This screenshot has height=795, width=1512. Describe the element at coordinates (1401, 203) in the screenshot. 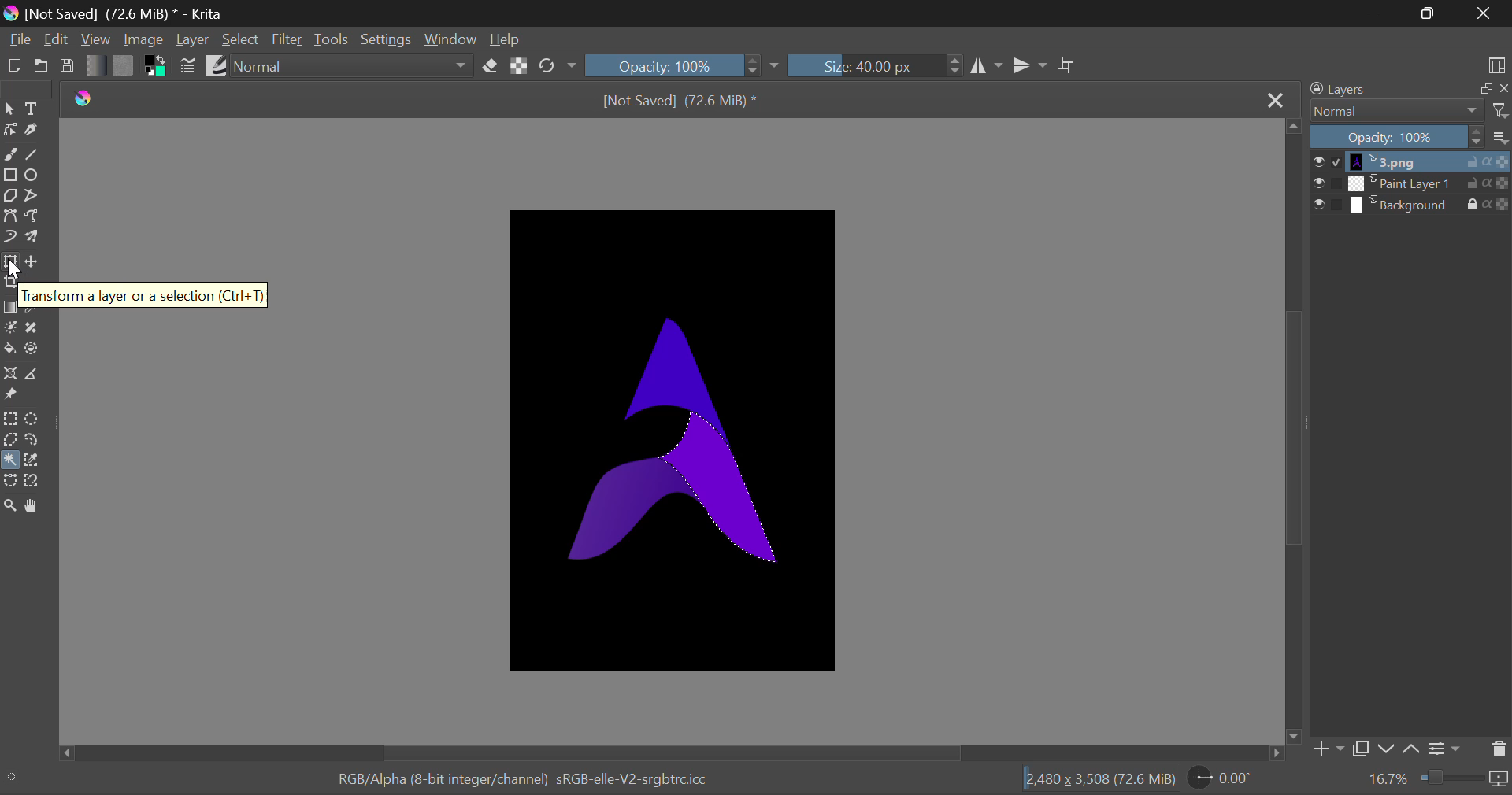

I see `layer 3` at that location.